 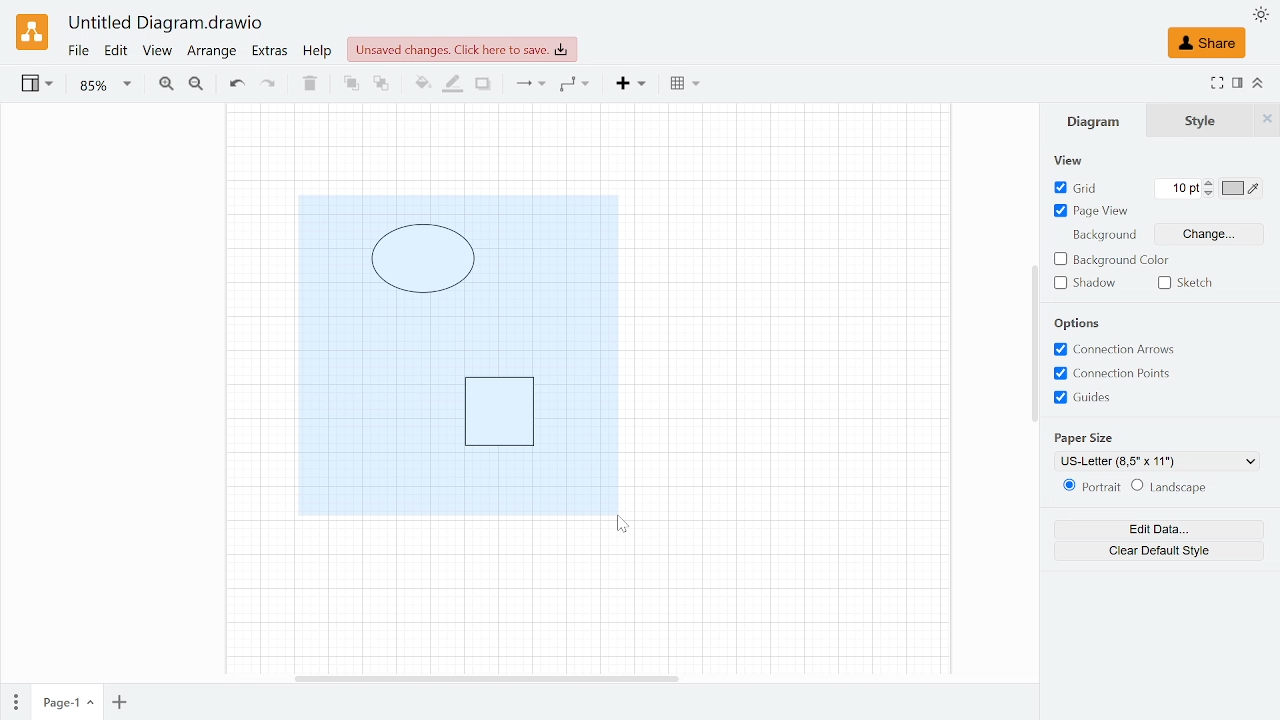 What do you see at coordinates (1085, 283) in the screenshot?
I see `Shadow` at bounding box center [1085, 283].